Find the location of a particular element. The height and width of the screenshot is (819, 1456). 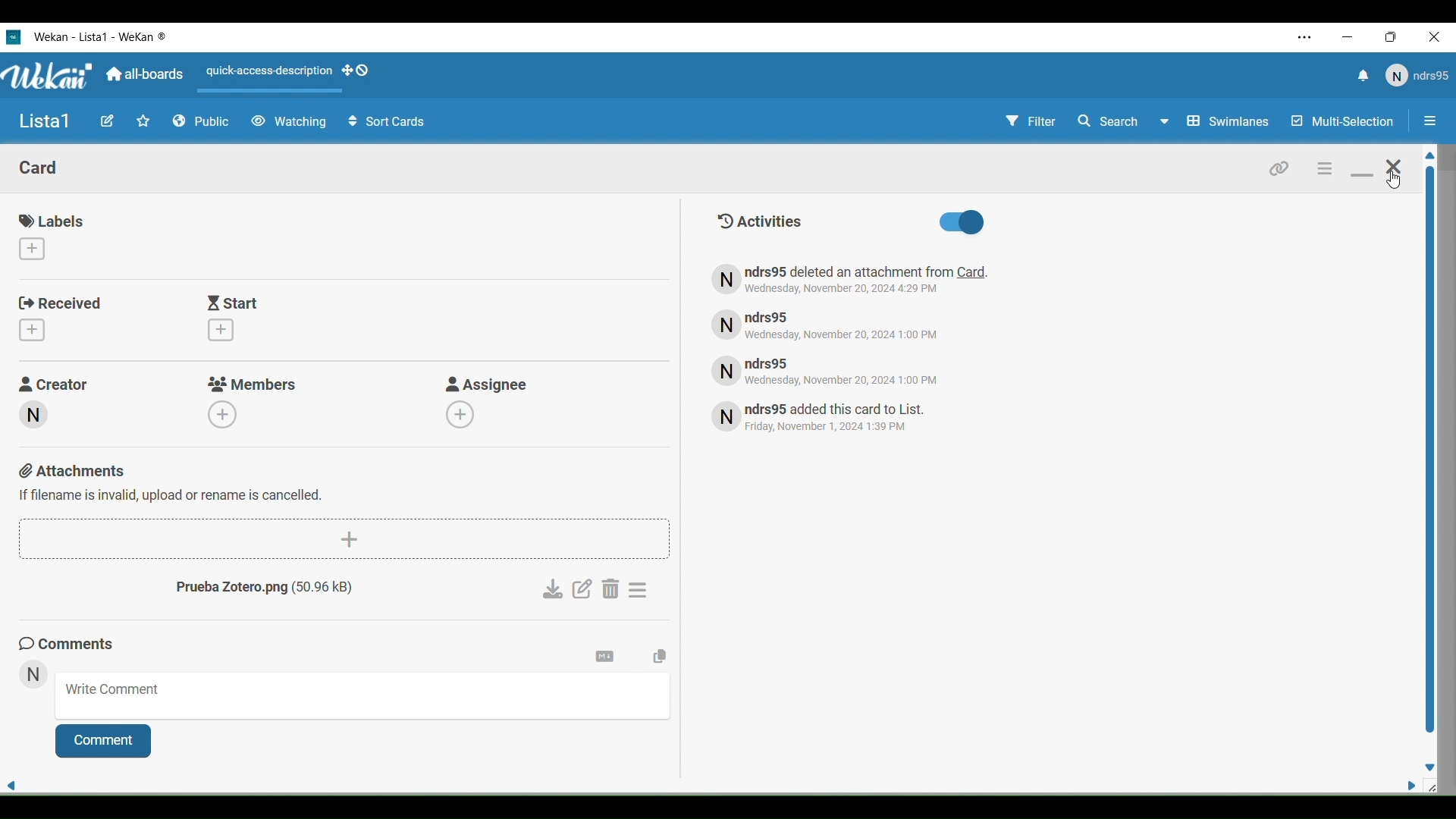

Add assignee is located at coordinates (460, 414).